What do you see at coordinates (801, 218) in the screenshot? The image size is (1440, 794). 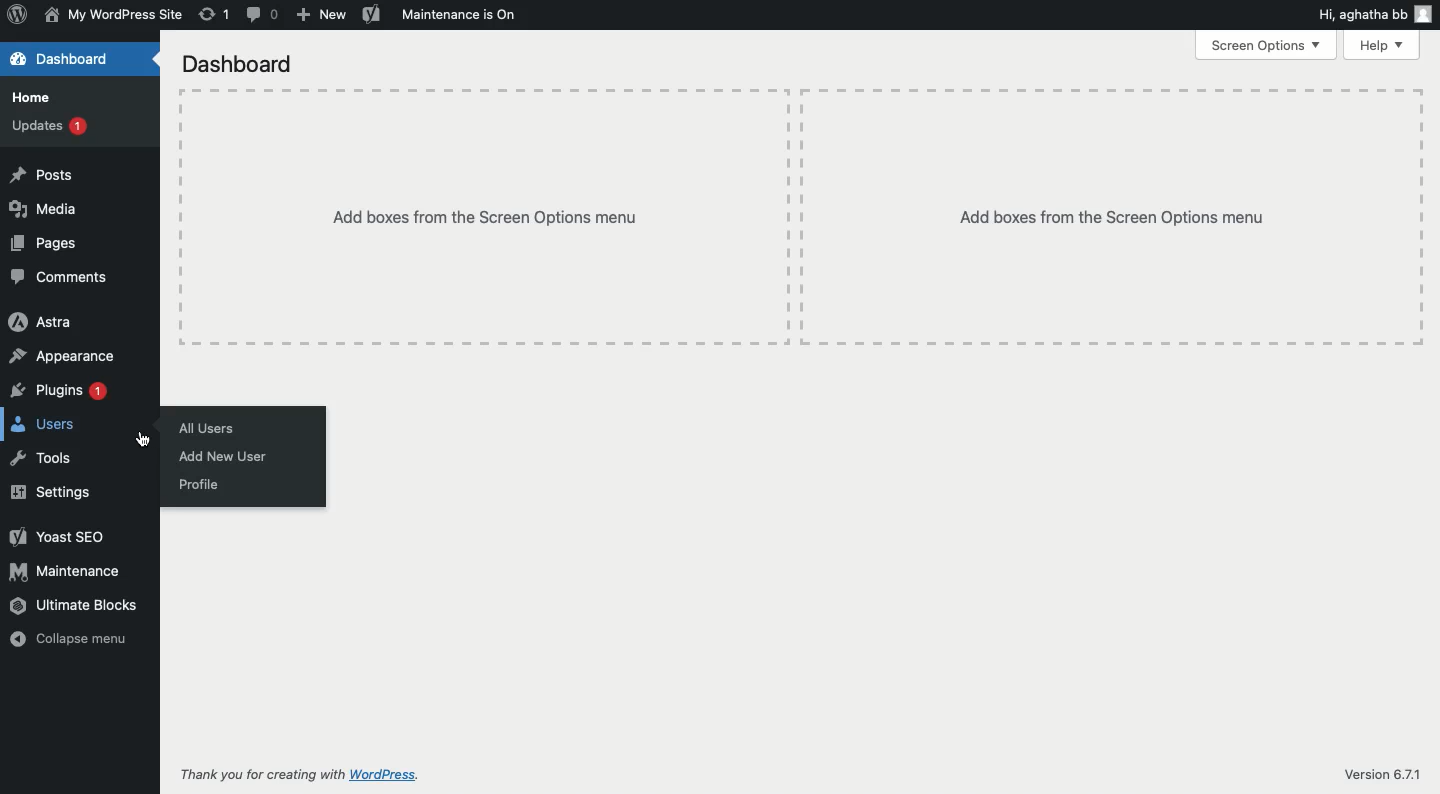 I see `Add boxes from the screen options menu` at bounding box center [801, 218].